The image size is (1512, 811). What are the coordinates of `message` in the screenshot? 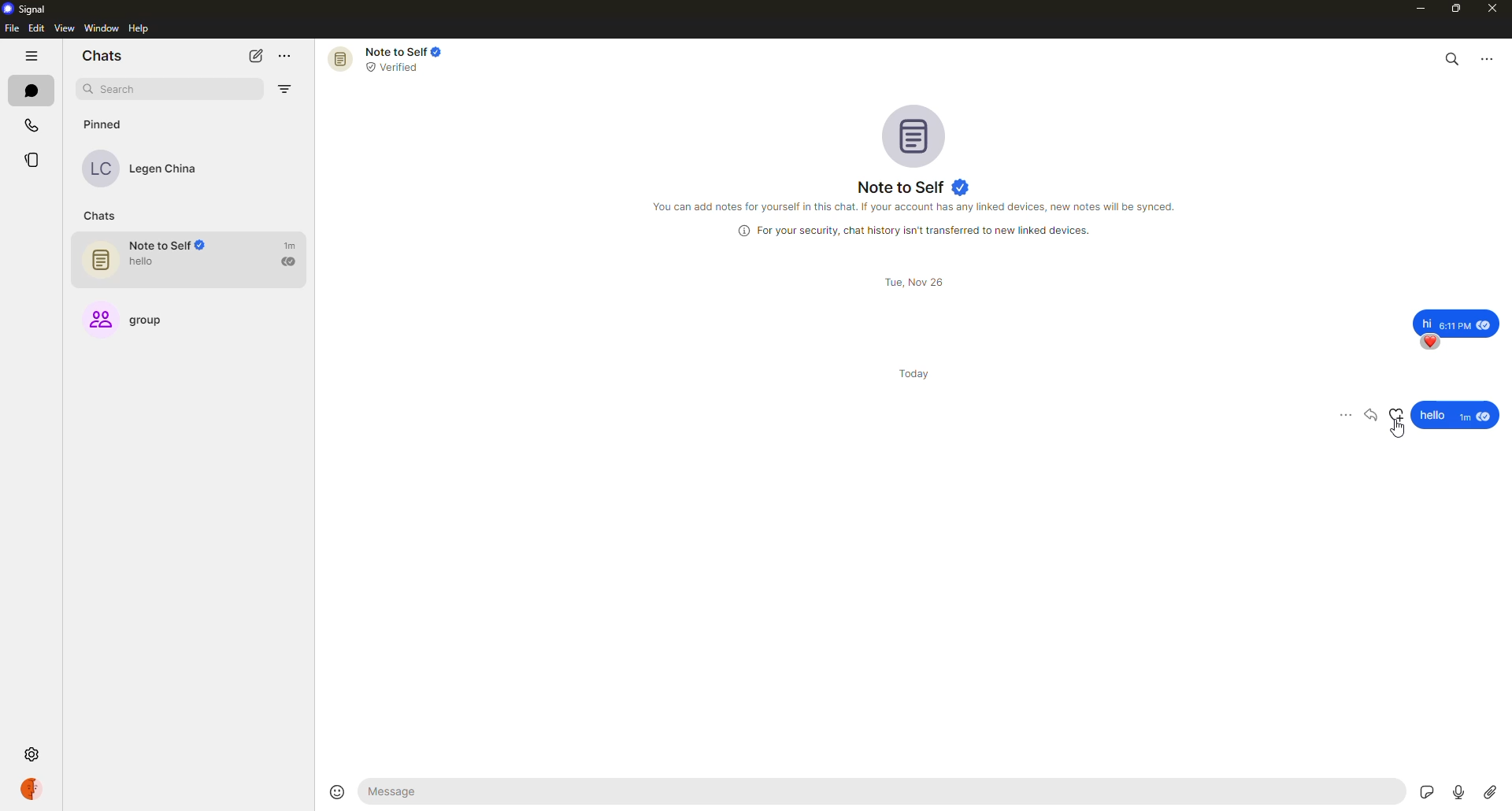 It's located at (1455, 408).